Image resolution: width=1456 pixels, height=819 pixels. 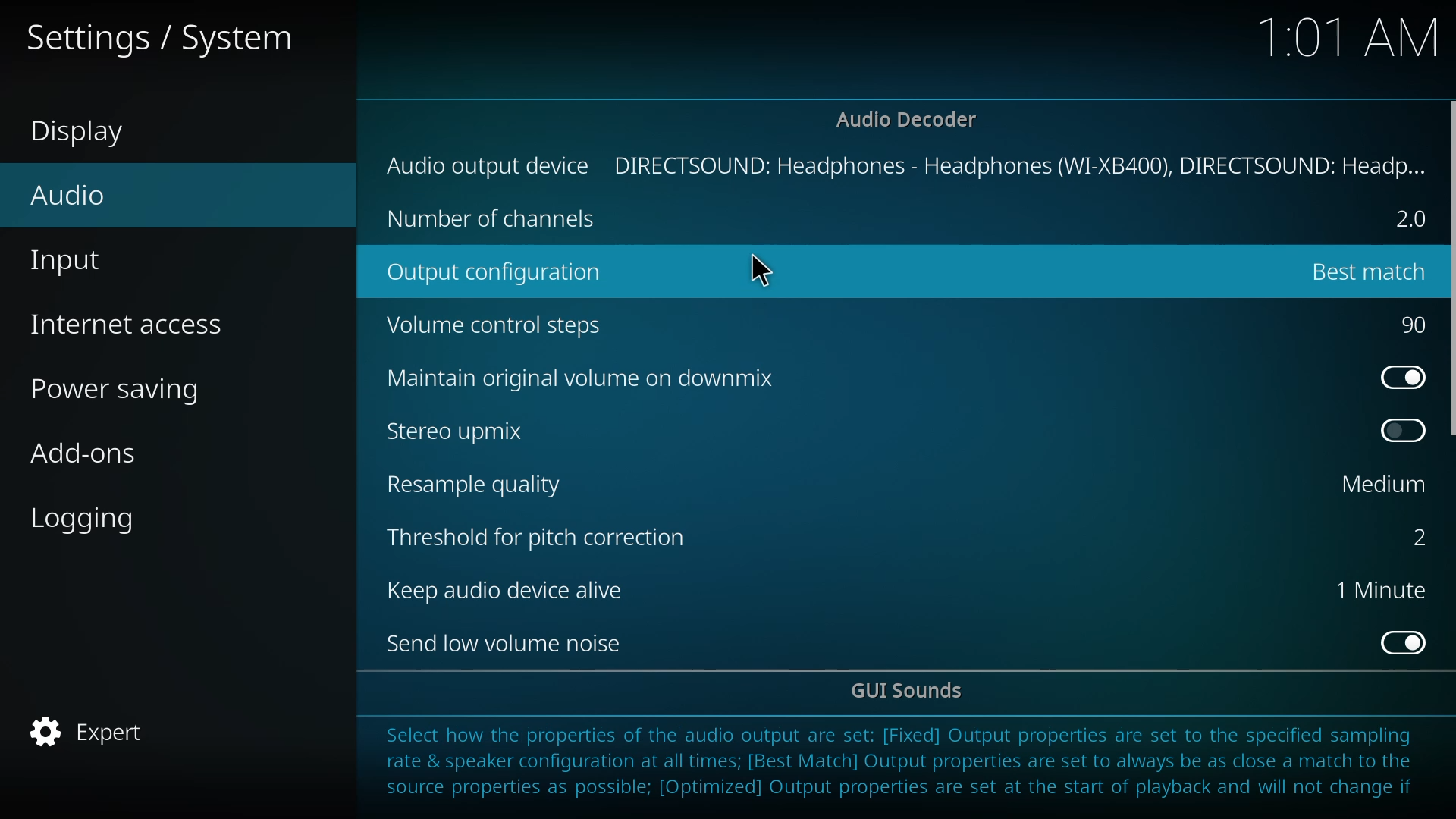 What do you see at coordinates (85, 130) in the screenshot?
I see `display` at bounding box center [85, 130].